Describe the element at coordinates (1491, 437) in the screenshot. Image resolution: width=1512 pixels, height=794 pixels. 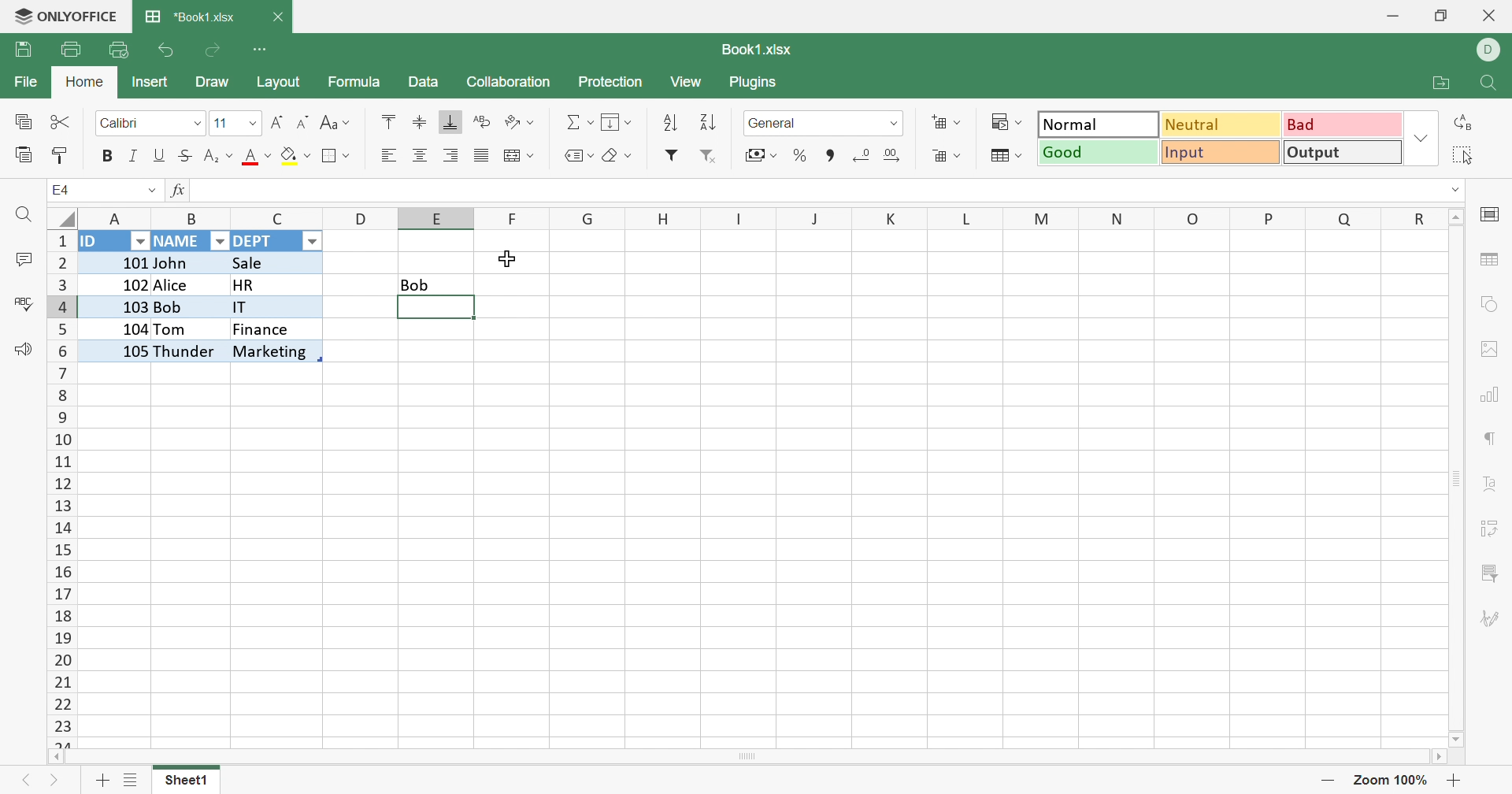
I see `Paragraph settings` at that location.